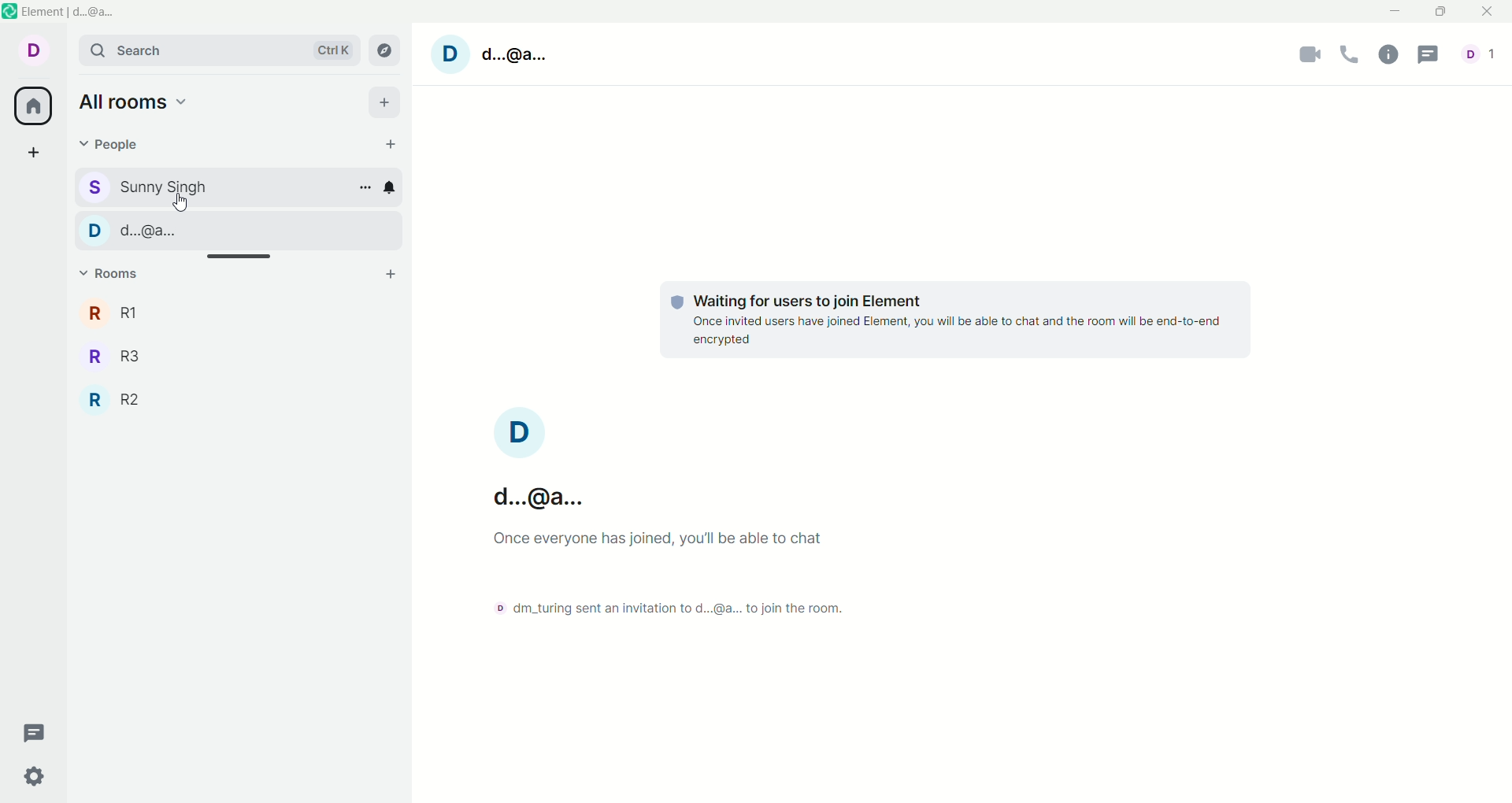 The width and height of the screenshot is (1512, 803). I want to click on people, so click(146, 184).